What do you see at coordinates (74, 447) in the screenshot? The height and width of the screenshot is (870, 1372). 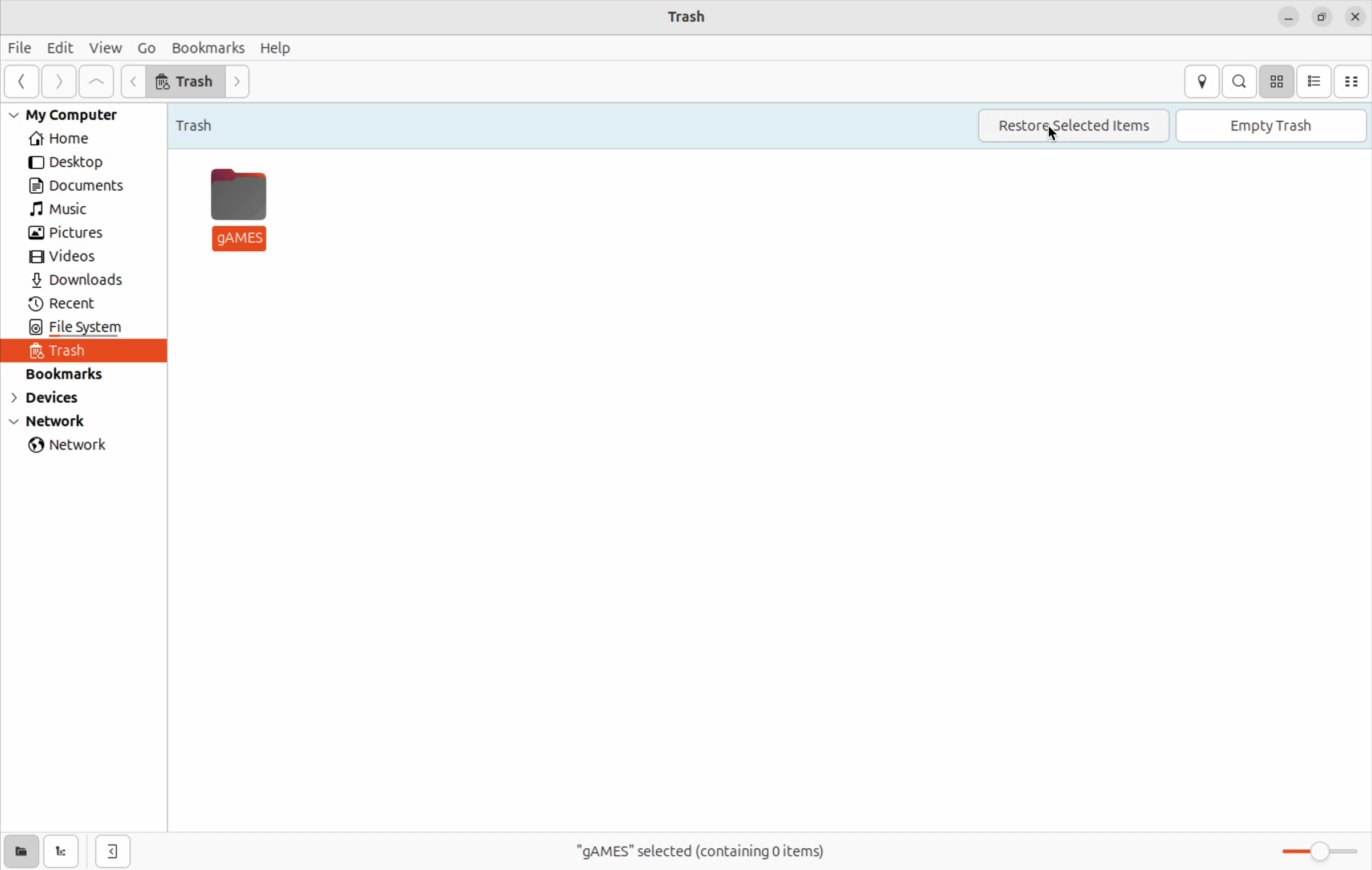 I see `network` at bounding box center [74, 447].